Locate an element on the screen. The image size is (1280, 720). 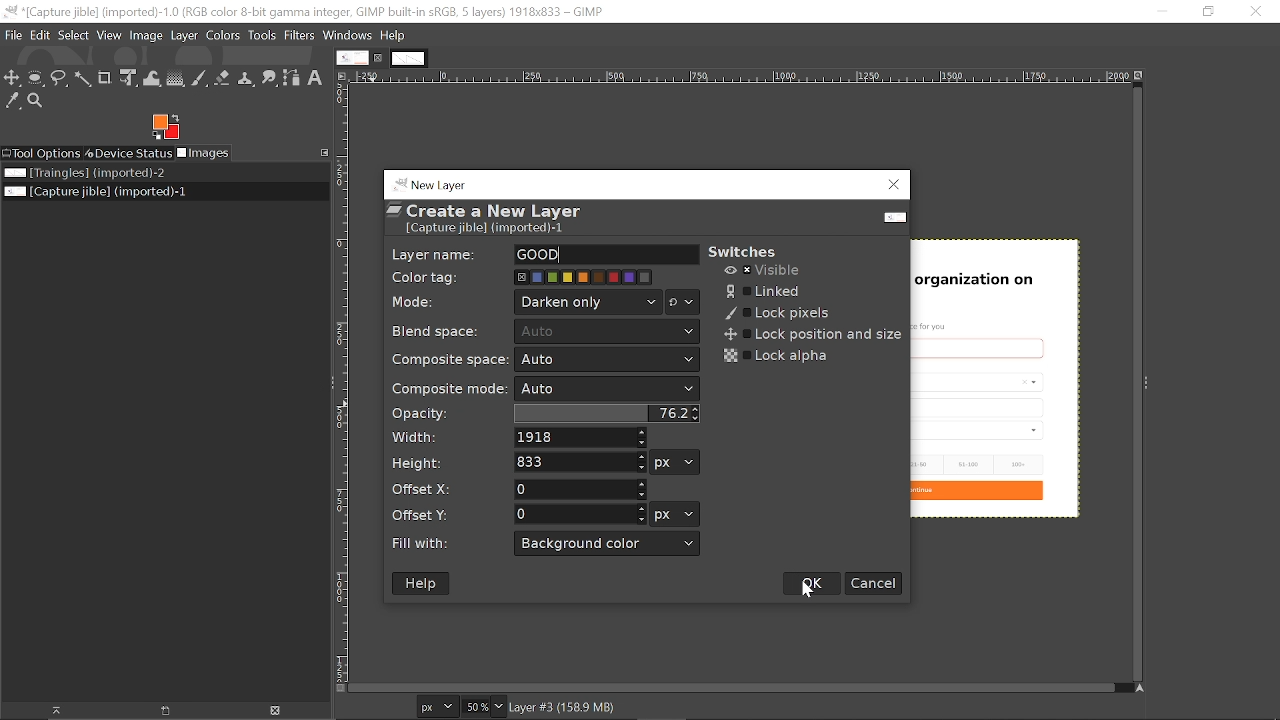
Close current tab is located at coordinates (379, 58).